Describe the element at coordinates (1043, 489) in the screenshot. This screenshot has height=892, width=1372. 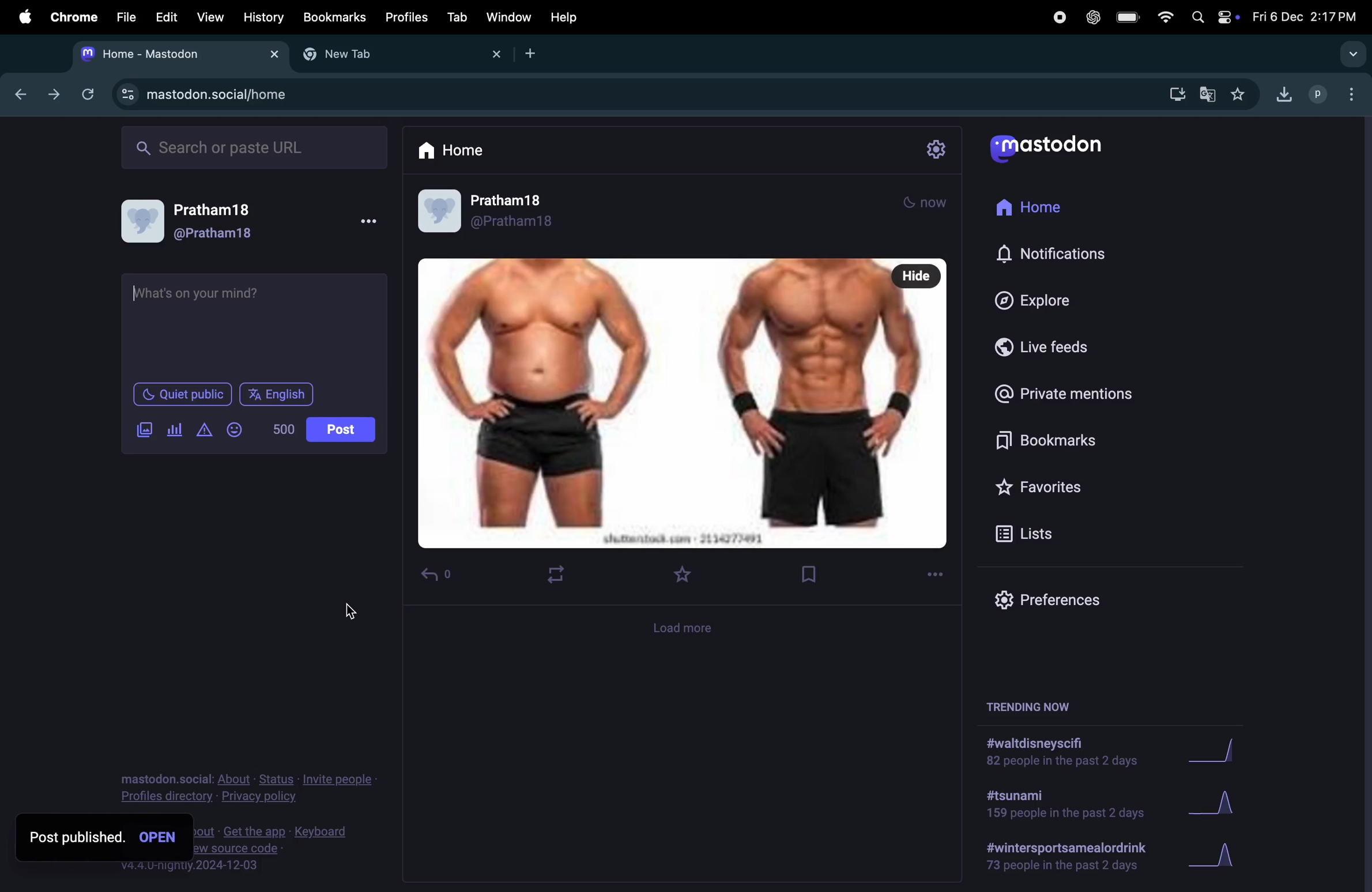
I see `favourites` at that location.